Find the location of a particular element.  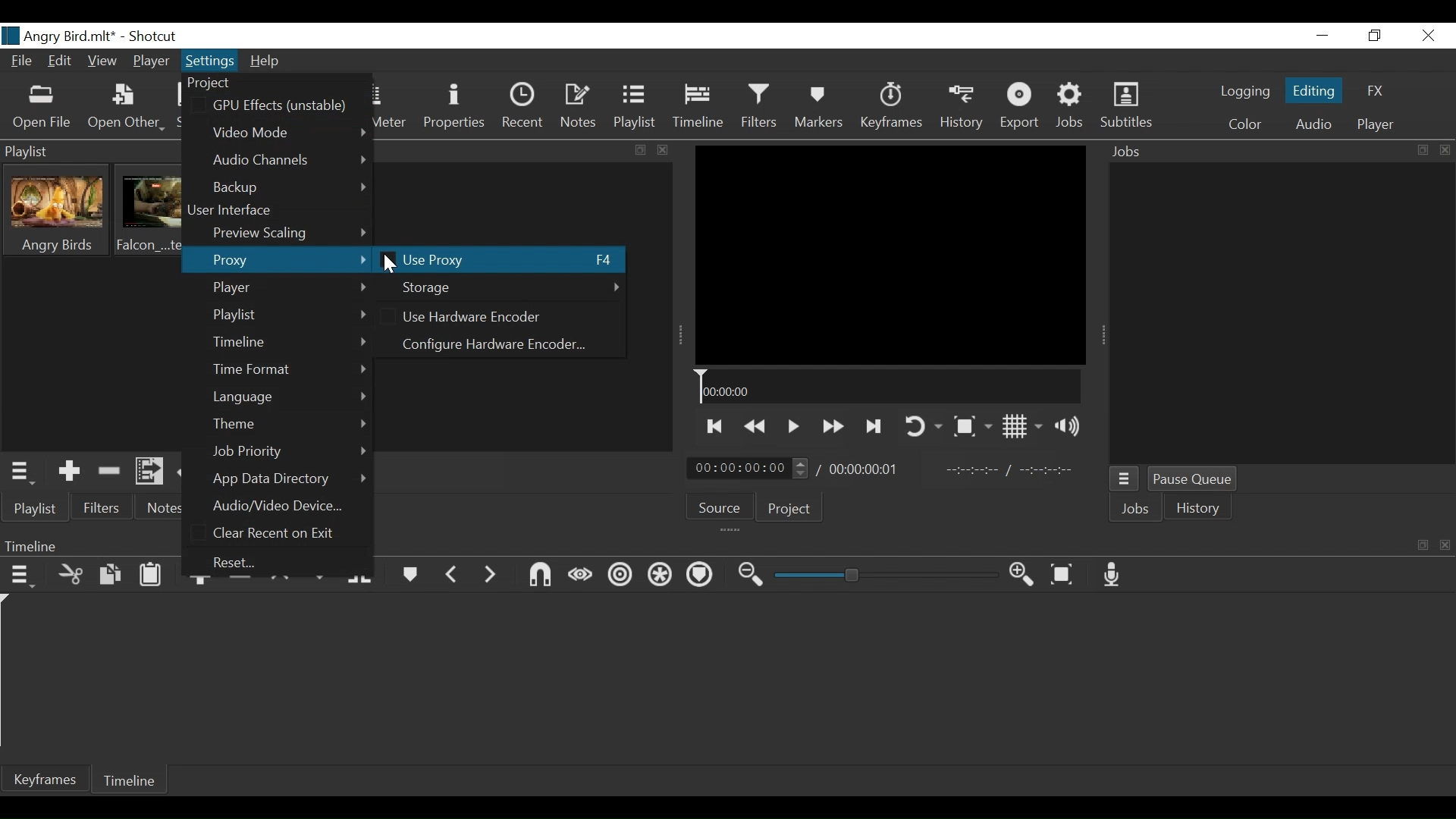

Audio is located at coordinates (1316, 124).